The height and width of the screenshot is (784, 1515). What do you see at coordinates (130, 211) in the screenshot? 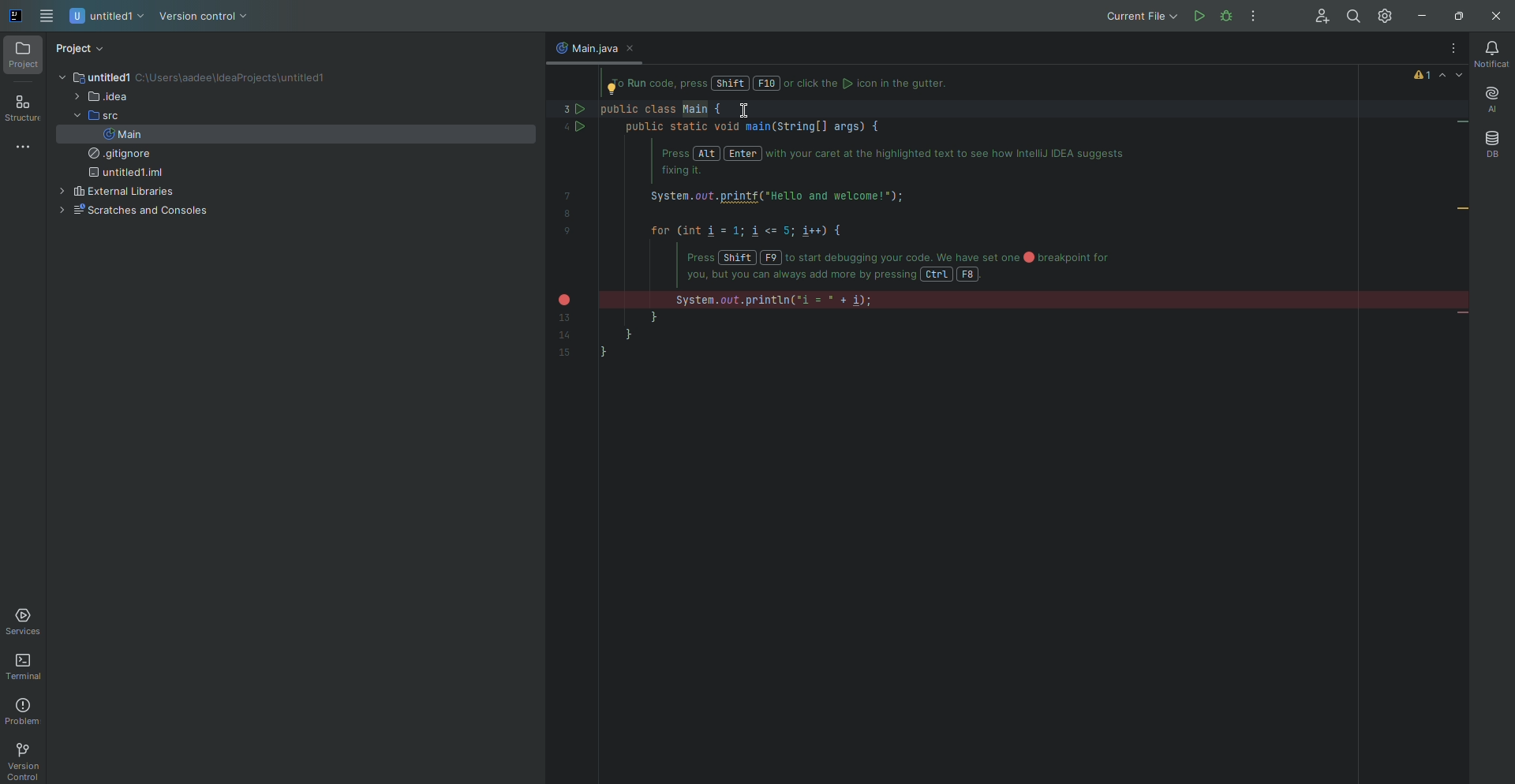
I see `Scratches and Consoles` at bounding box center [130, 211].